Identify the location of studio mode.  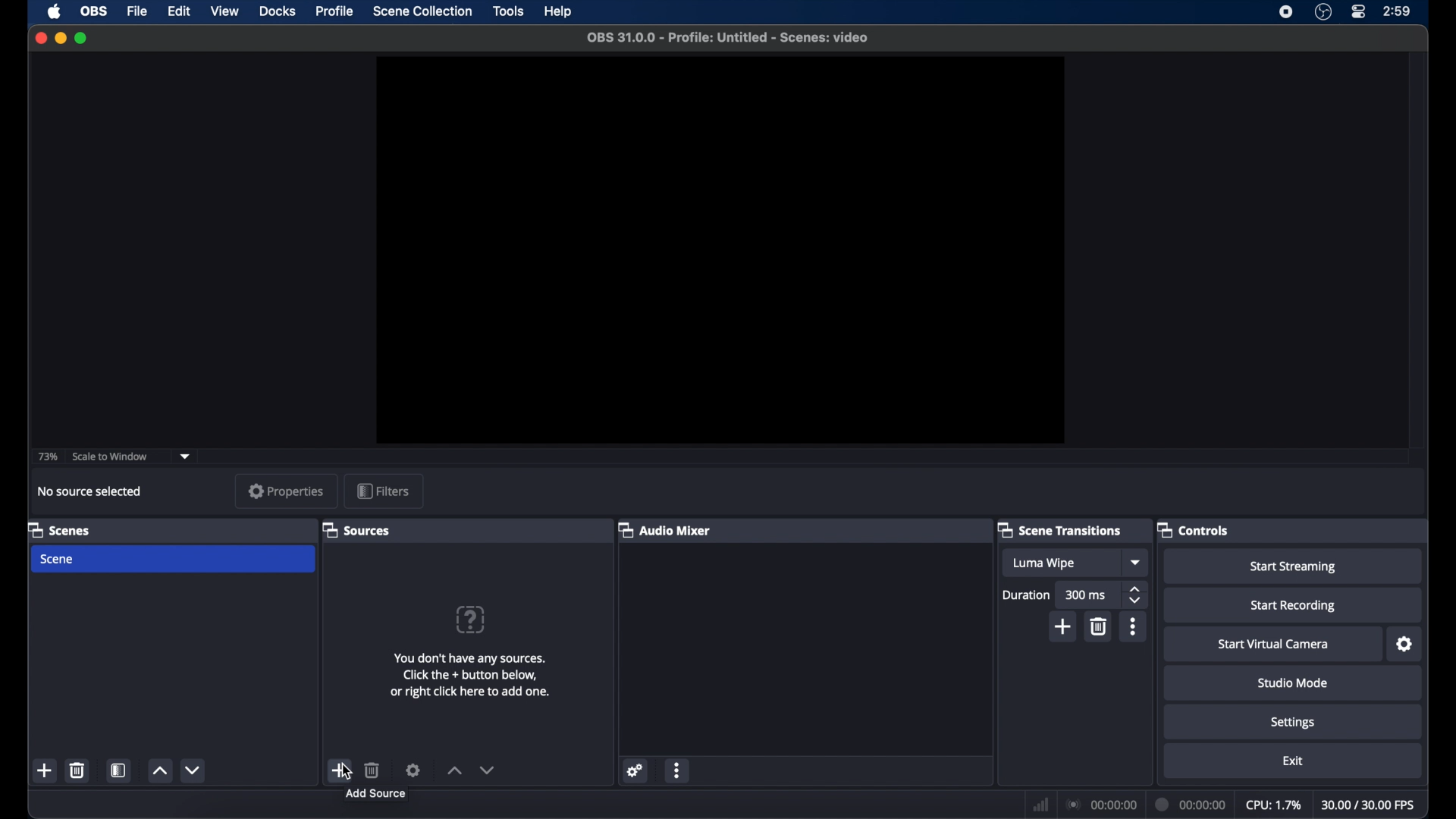
(1291, 684).